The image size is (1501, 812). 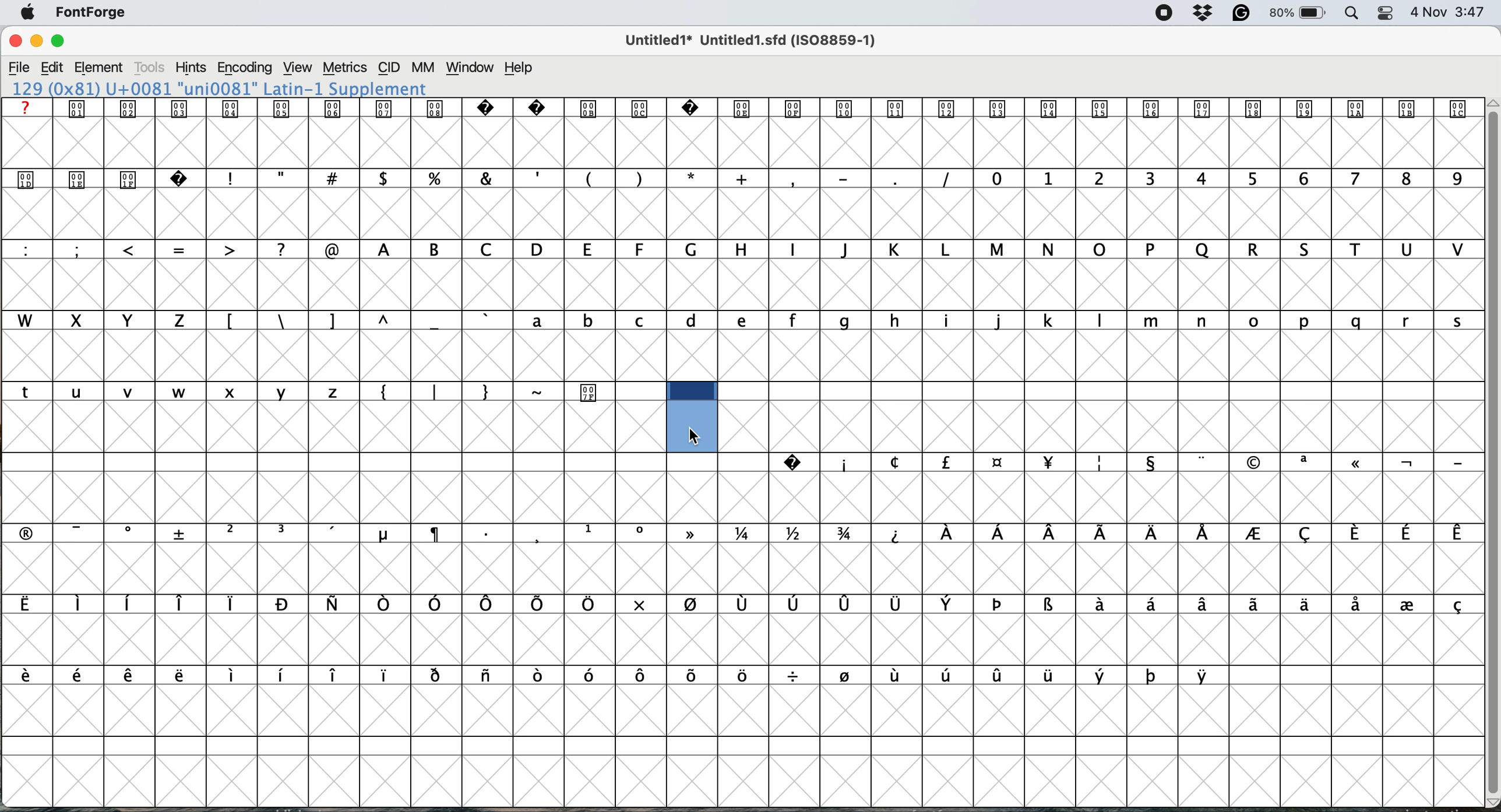 What do you see at coordinates (742, 606) in the screenshot?
I see `Latin Extended-A – Uppercase & Lowercase Accented Letters` at bounding box center [742, 606].